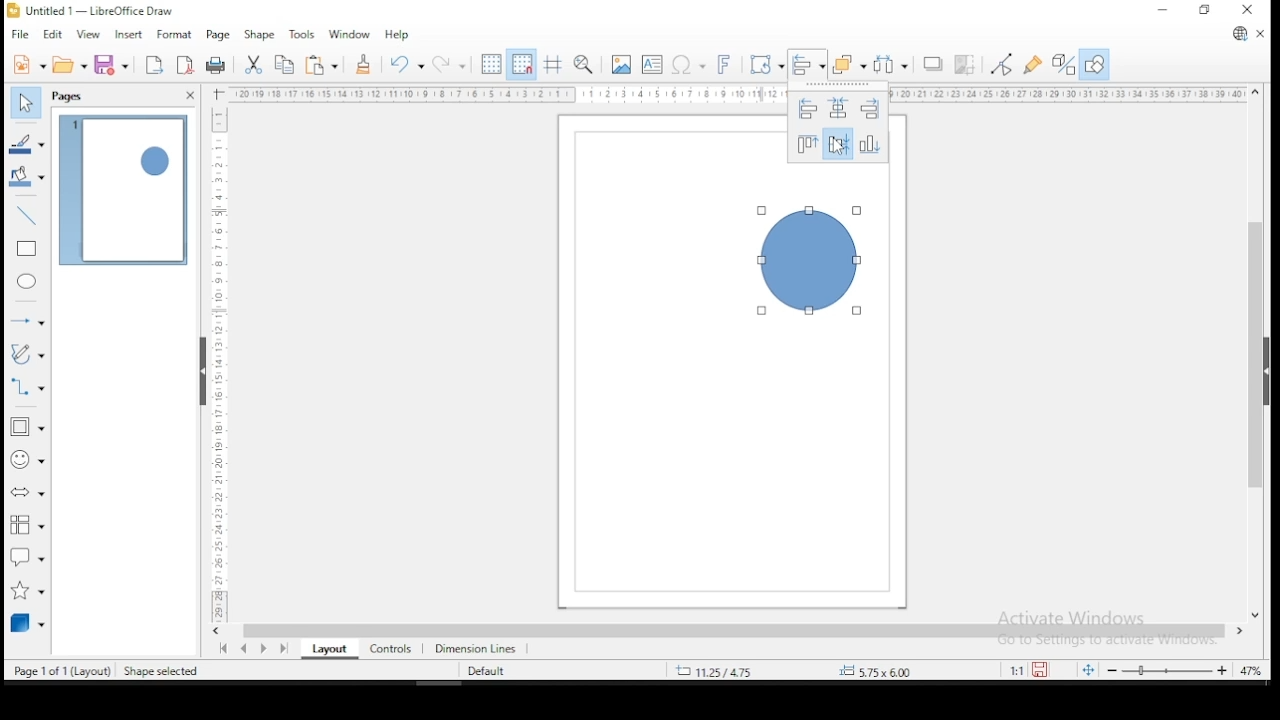 This screenshot has width=1280, height=720. Describe the element at coordinates (738, 94) in the screenshot. I see `horizontal scale` at that location.